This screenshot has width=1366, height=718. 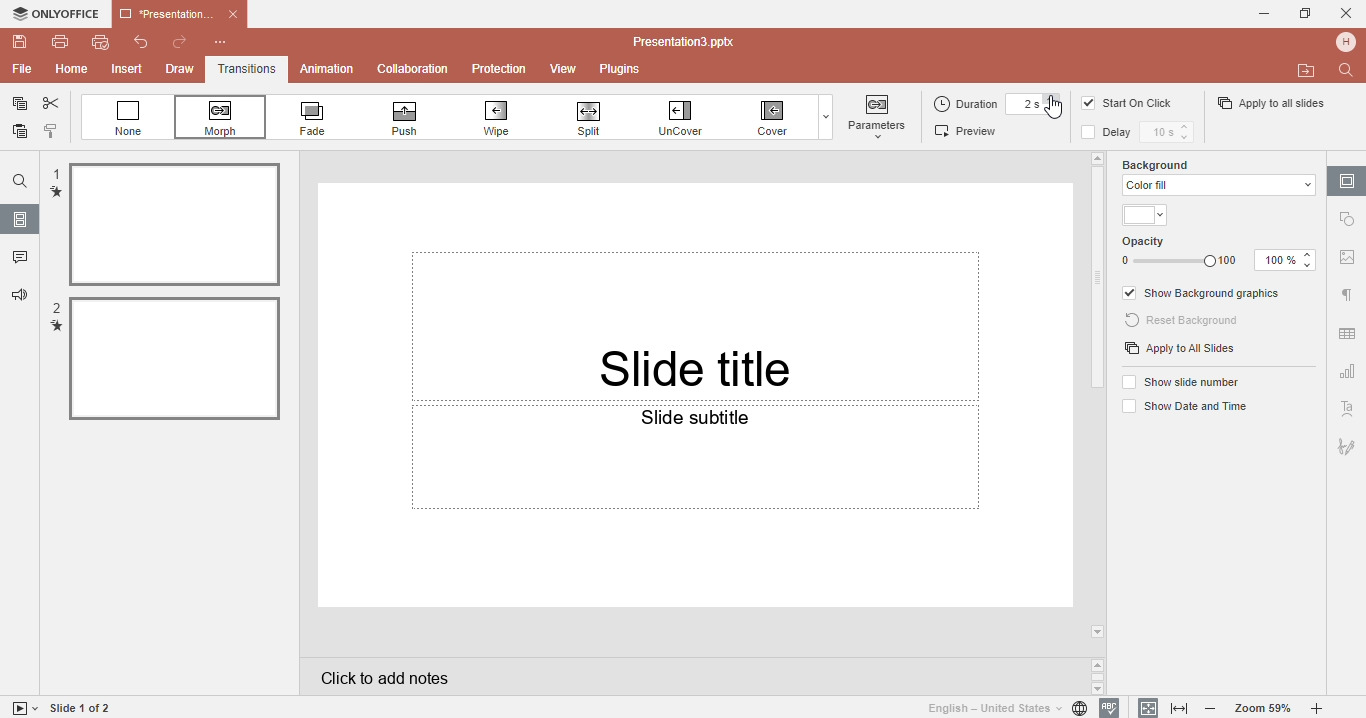 I want to click on Themes color, so click(x=1147, y=216).